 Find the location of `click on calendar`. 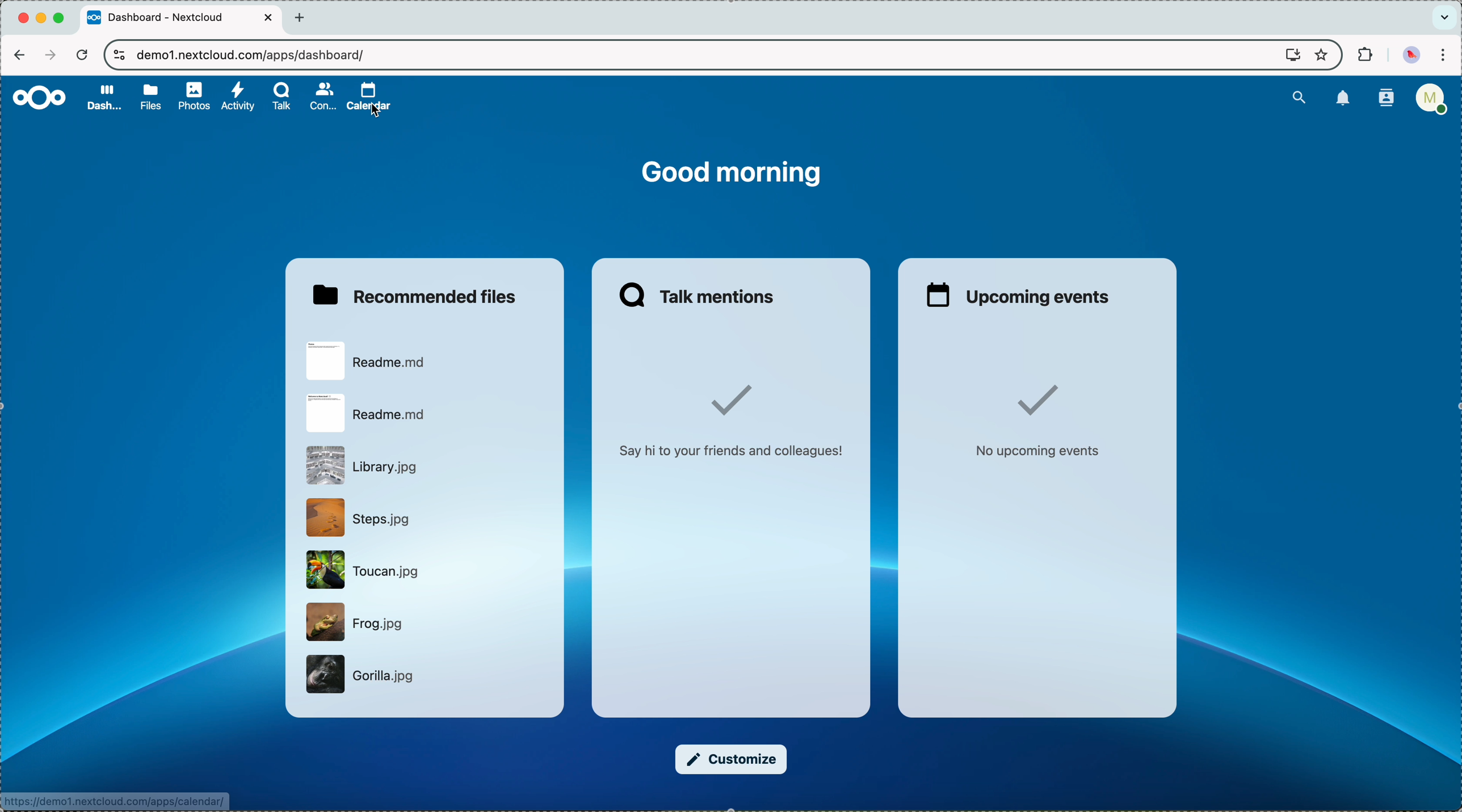

click on calendar is located at coordinates (369, 99).